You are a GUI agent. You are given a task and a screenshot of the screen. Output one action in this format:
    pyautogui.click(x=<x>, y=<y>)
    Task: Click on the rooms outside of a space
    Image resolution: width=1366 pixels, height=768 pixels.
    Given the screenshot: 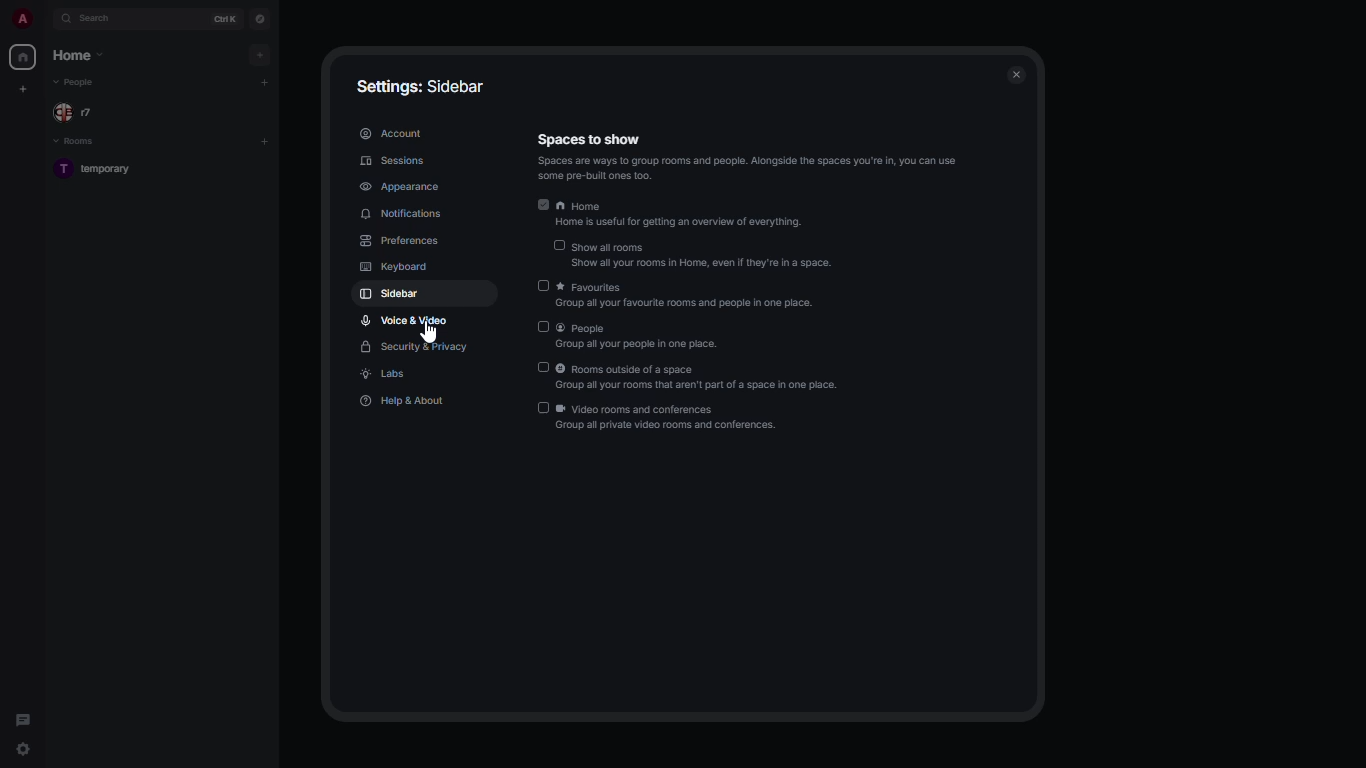 What is the action you would take?
    pyautogui.click(x=702, y=379)
    